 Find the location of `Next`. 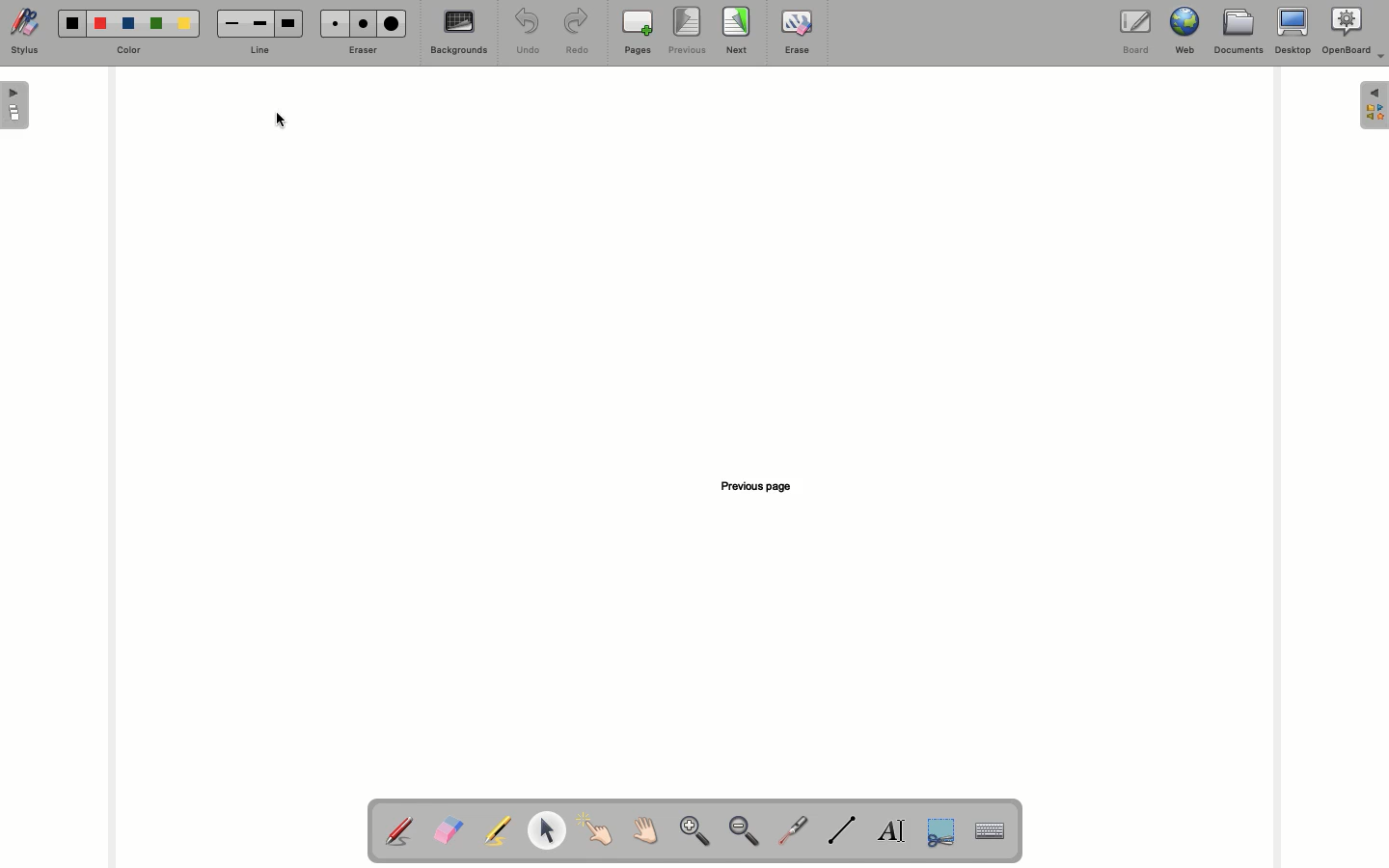

Next is located at coordinates (737, 30).